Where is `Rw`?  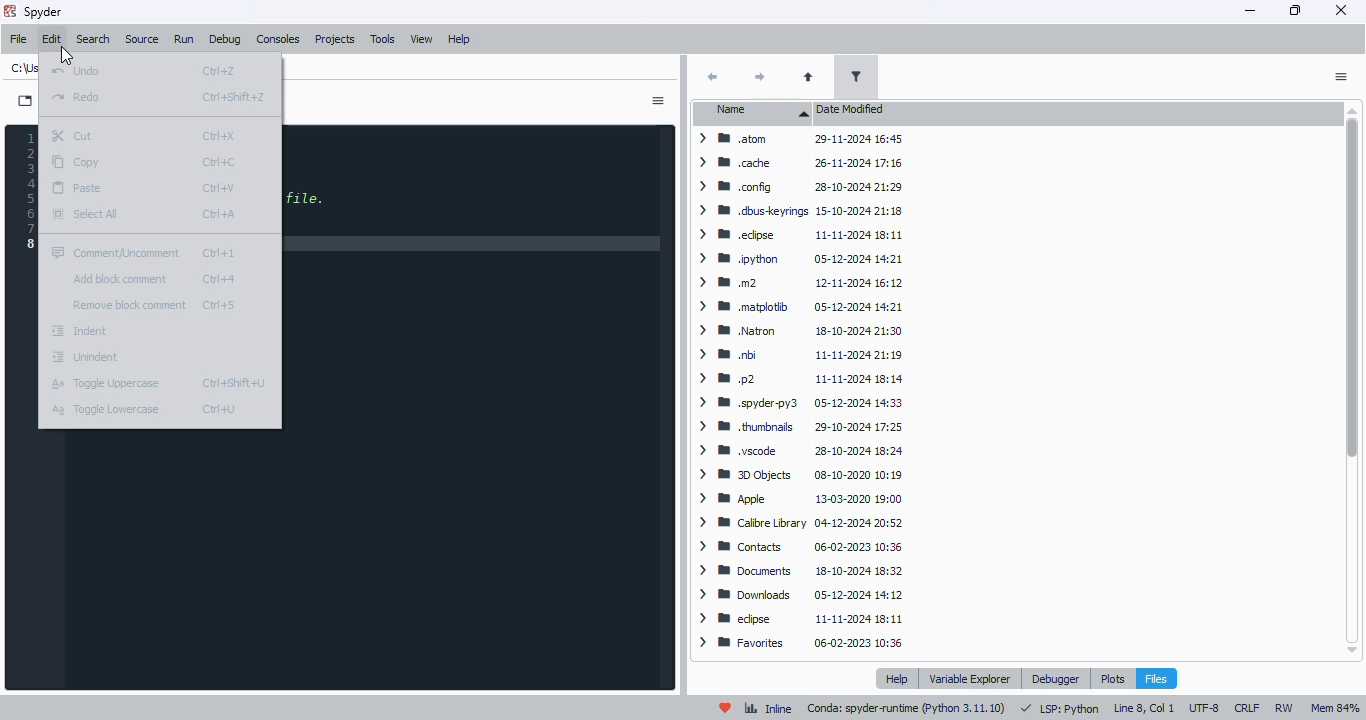
Rw is located at coordinates (1283, 707).